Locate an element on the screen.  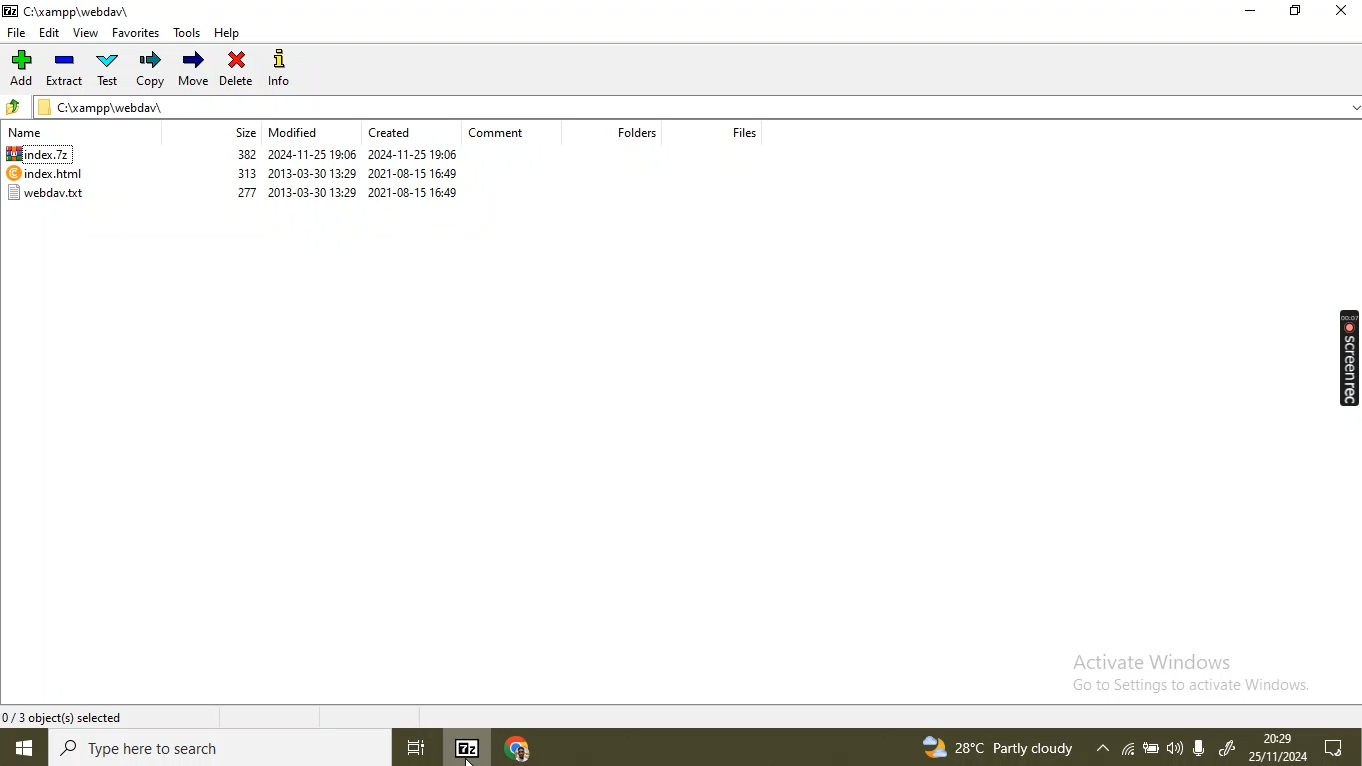
Name is located at coordinates (32, 130).